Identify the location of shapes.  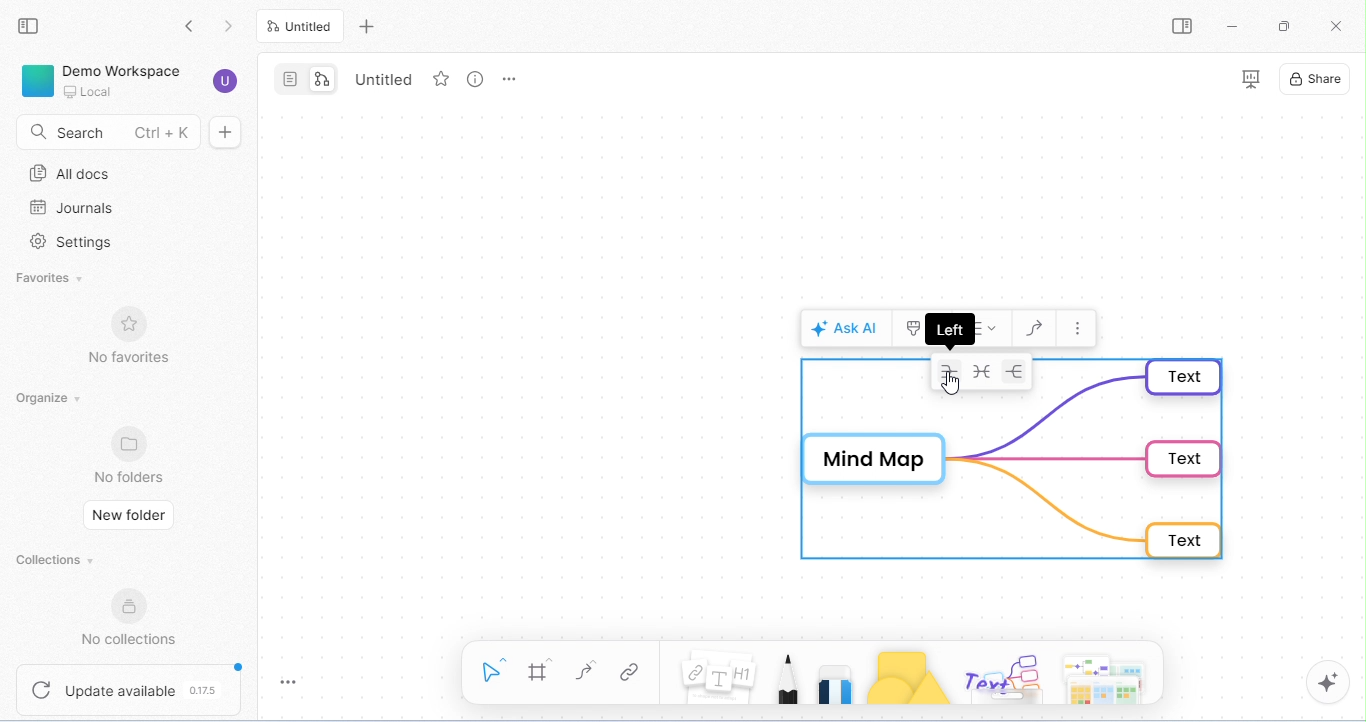
(907, 678).